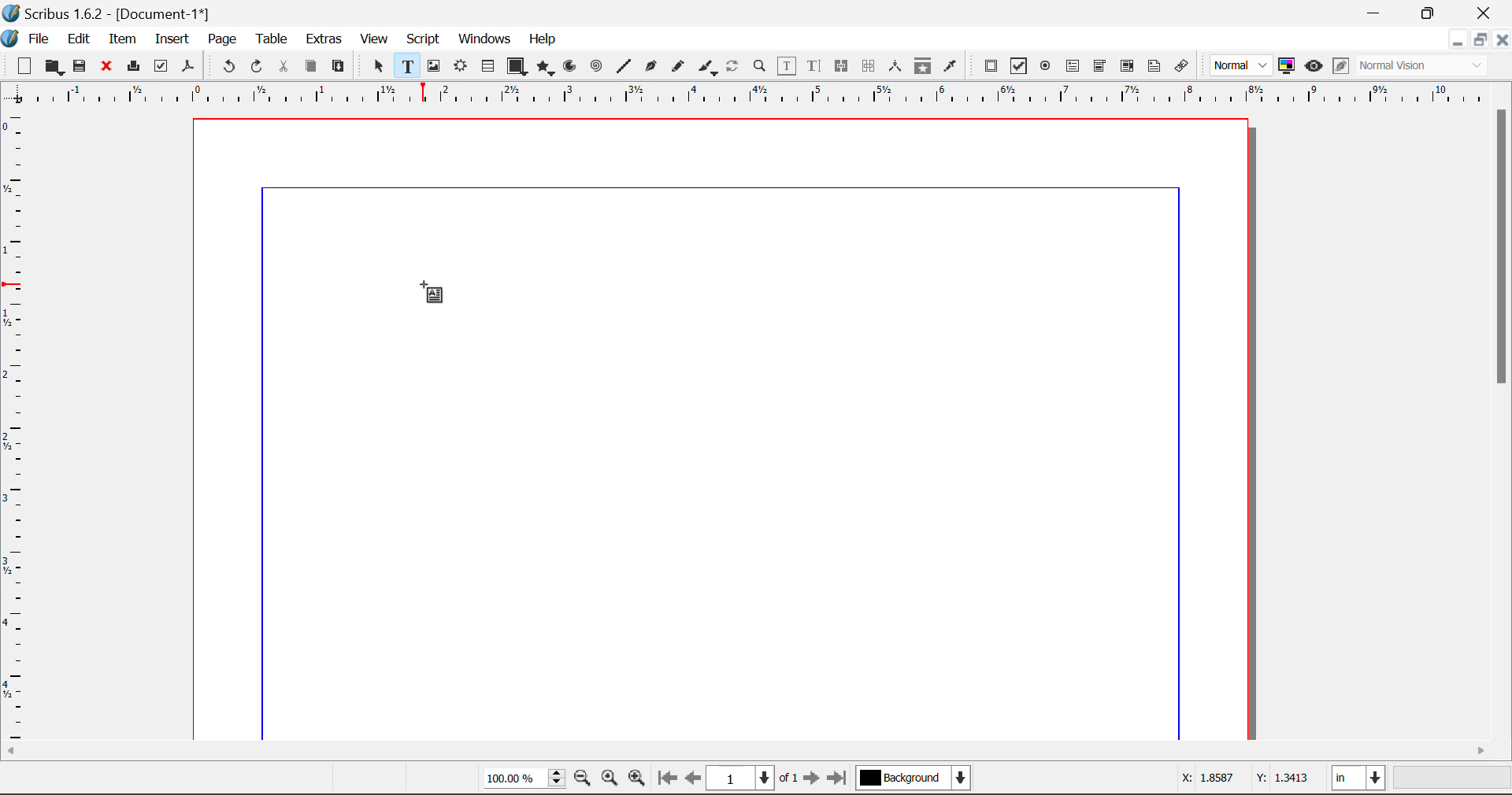 The image size is (1512, 795). What do you see at coordinates (813, 67) in the screenshot?
I see `Edit Text With Story Editor` at bounding box center [813, 67].